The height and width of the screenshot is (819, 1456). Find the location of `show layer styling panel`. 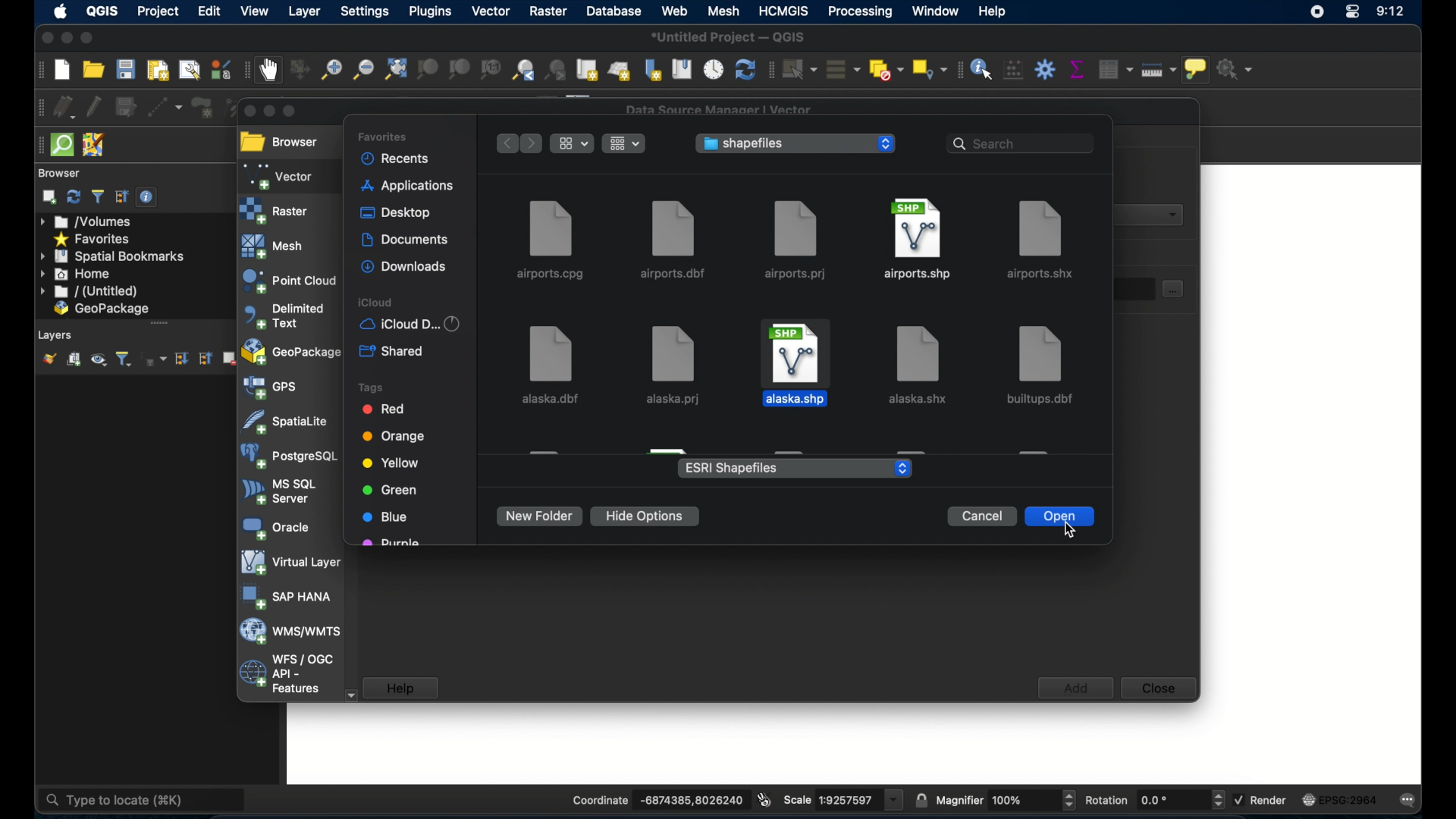

show layer styling panel is located at coordinates (49, 359).